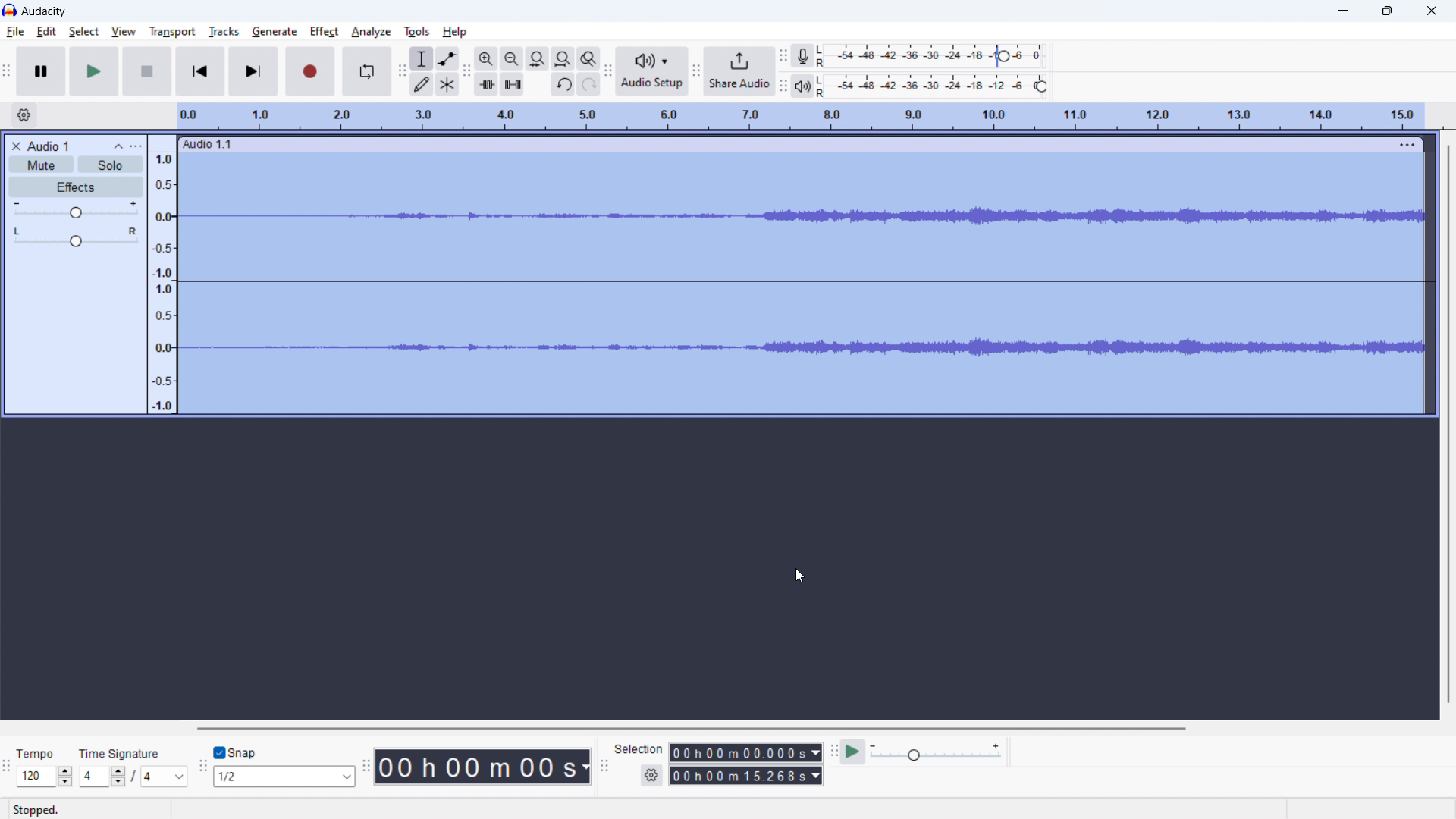 The image size is (1456, 819). What do you see at coordinates (1449, 424) in the screenshot?
I see `vertical scrollbar` at bounding box center [1449, 424].